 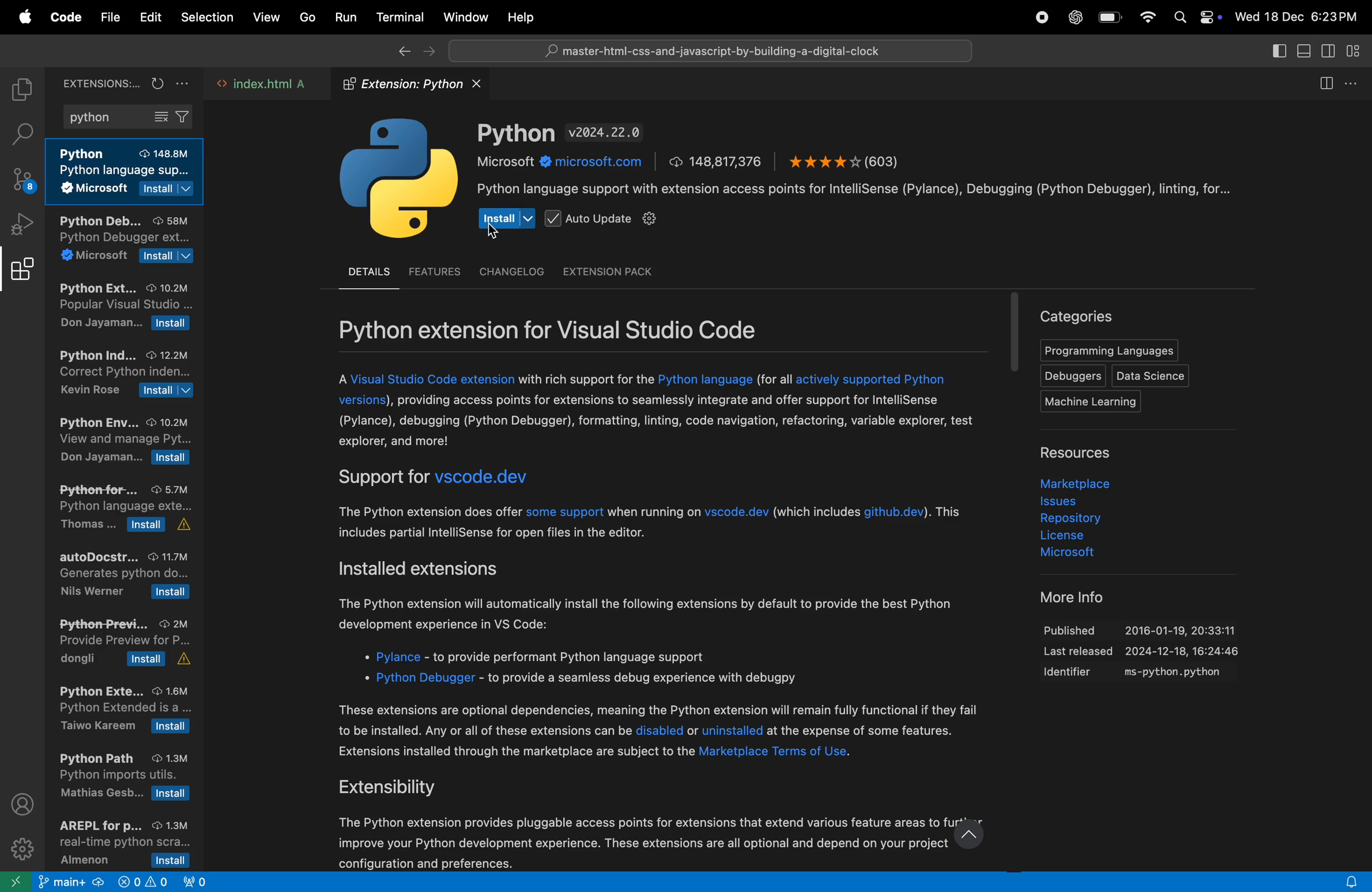 I want to click on terminal, so click(x=397, y=16).